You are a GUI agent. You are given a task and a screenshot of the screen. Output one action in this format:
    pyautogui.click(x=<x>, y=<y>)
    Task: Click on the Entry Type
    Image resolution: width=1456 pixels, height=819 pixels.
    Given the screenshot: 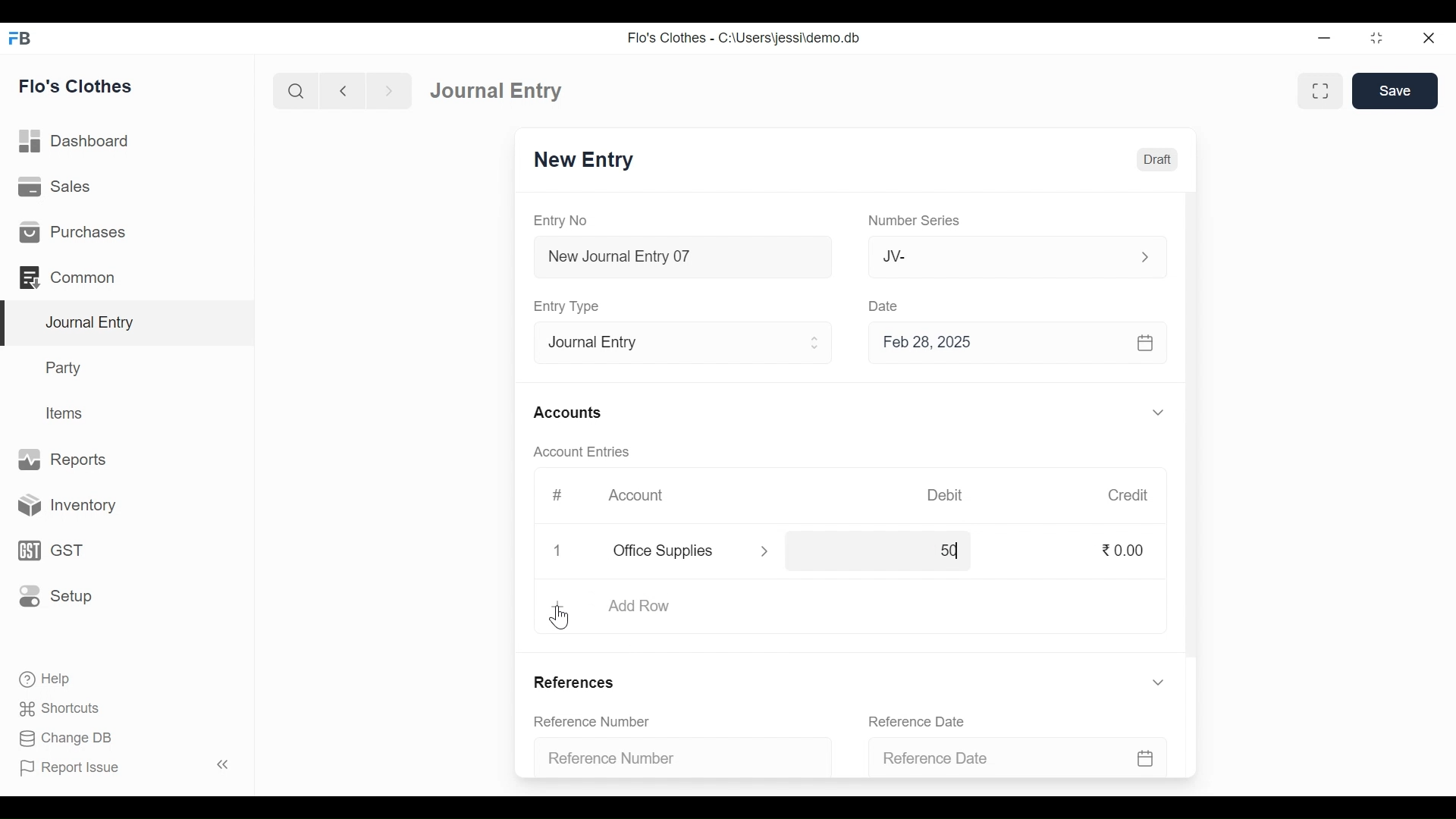 What is the action you would take?
    pyautogui.click(x=670, y=344)
    